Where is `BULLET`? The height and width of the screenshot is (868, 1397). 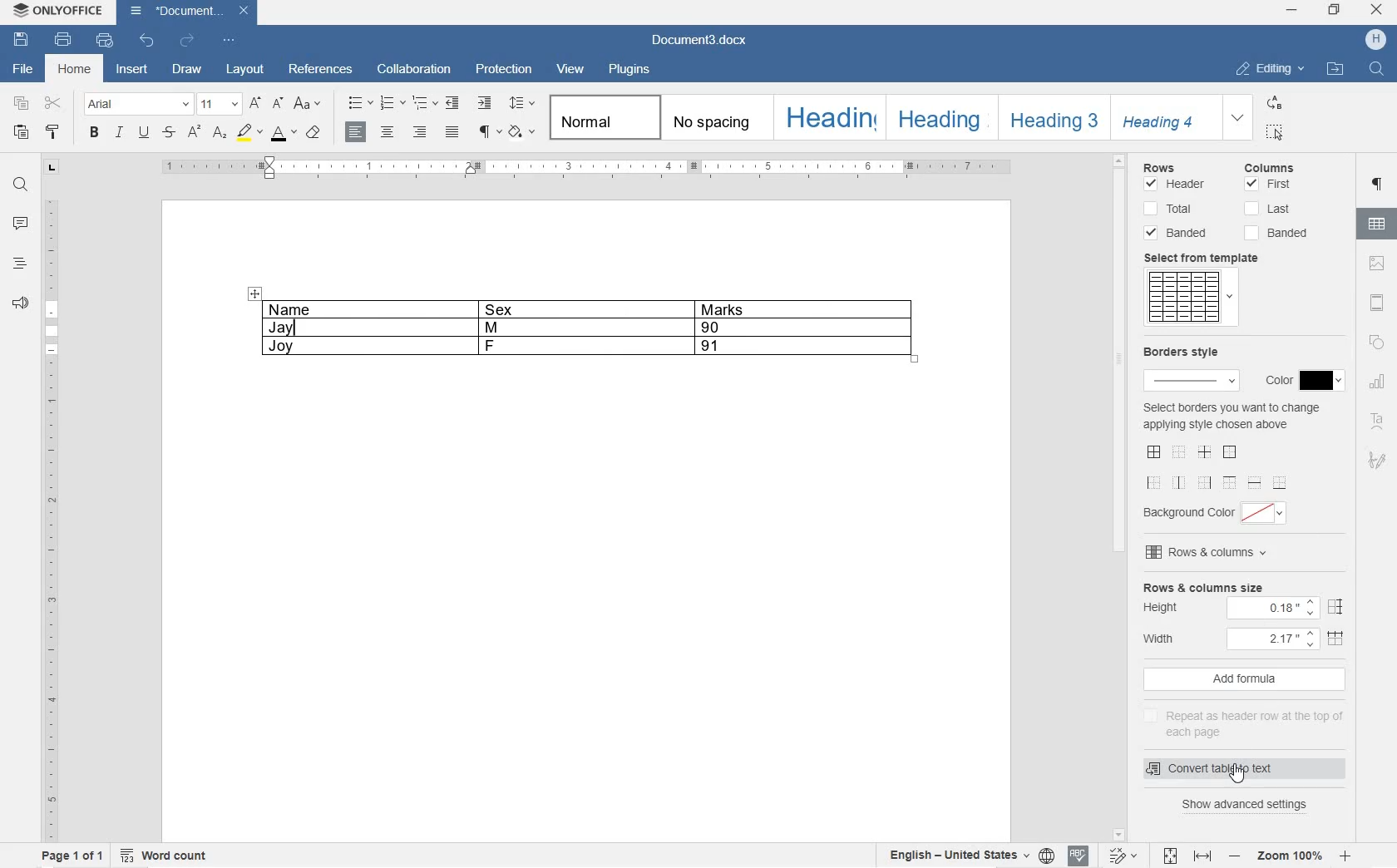 BULLET is located at coordinates (359, 104).